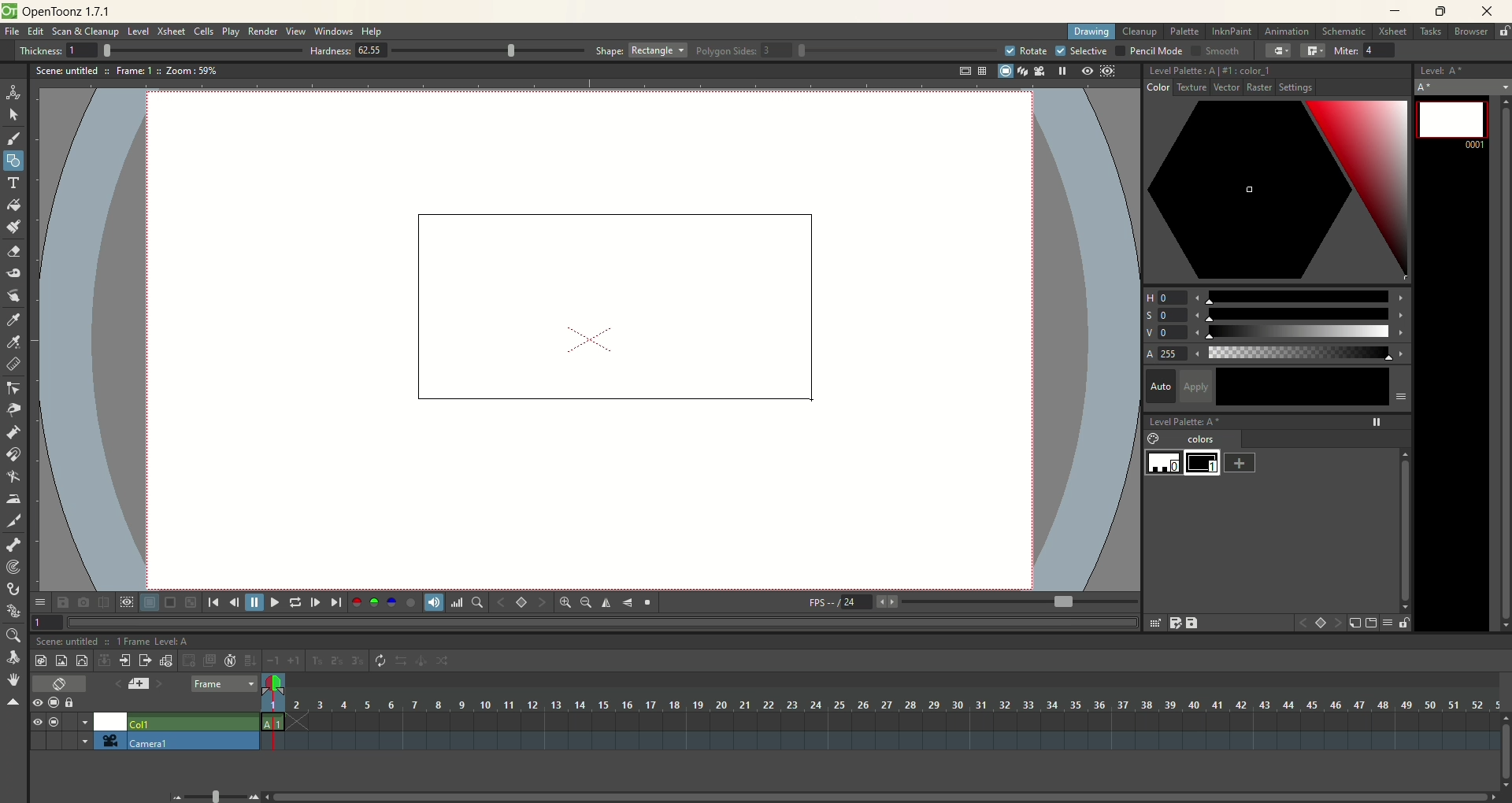 The image size is (1512, 803). Describe the element at coordinates (1462, 68) in the screenshot. I see `level strip` at that location.